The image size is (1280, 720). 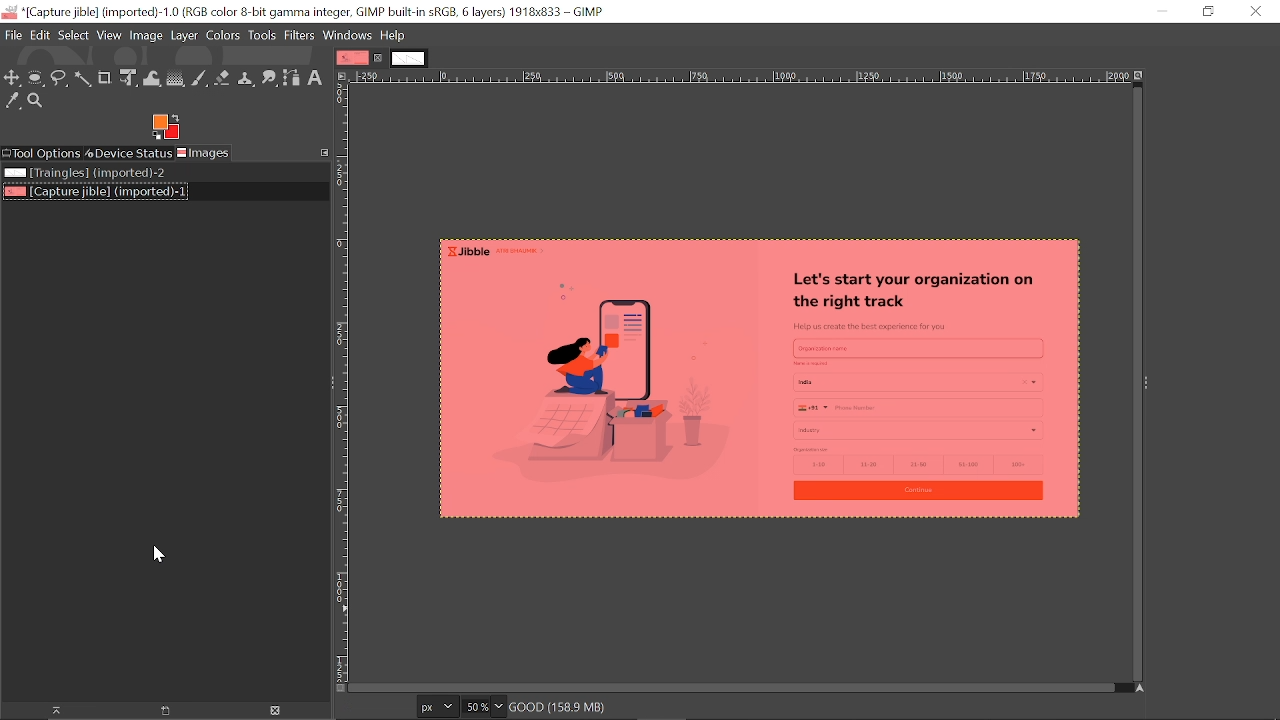 What do you see at coordinates (167, 127) in the screenshot?
I see `Foreground tool` at bounding box center [167, 127].